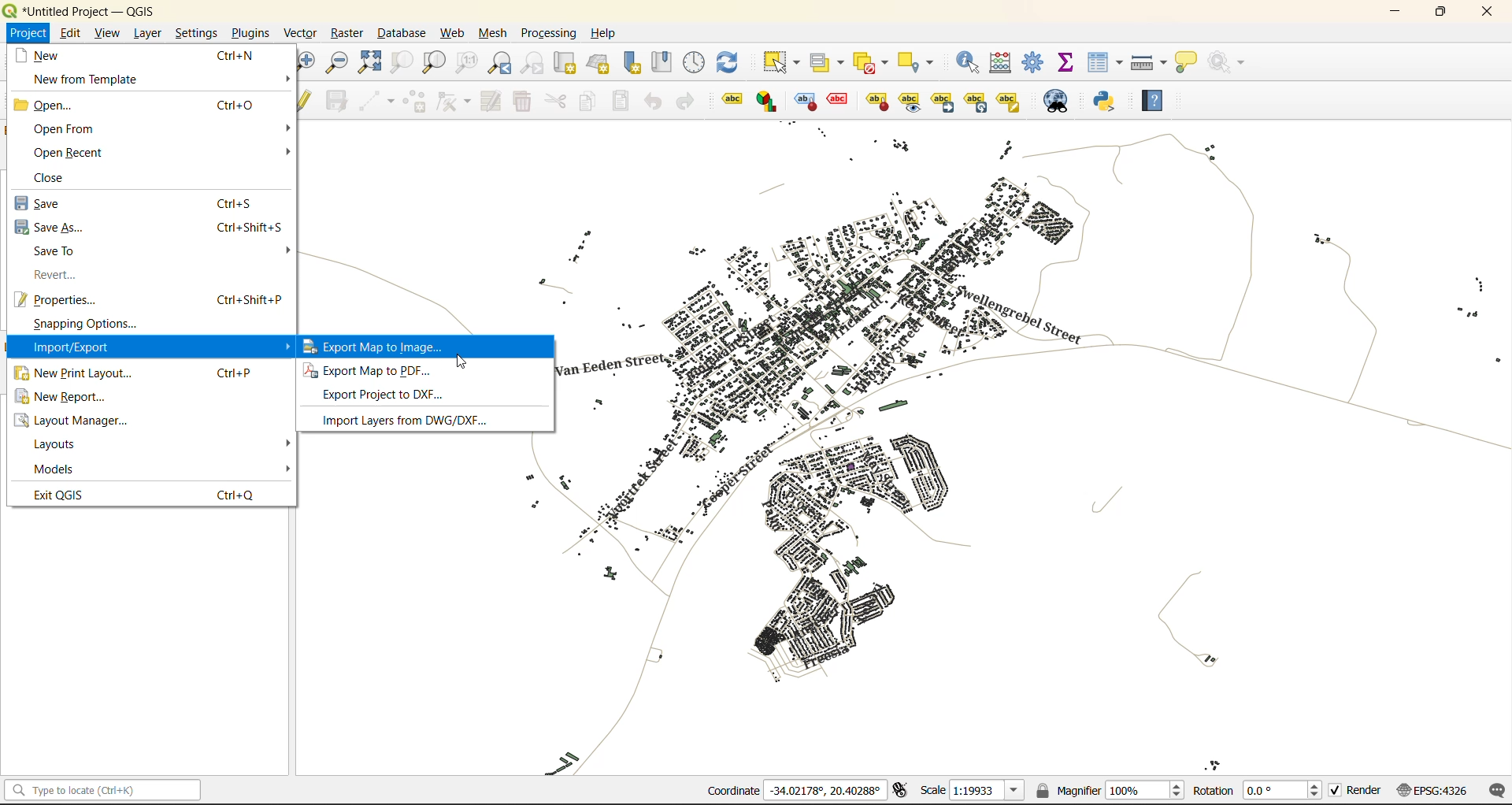 This screenshot has width=1512, height=805. What do you see at coordinates (57, 176) in the screenshot?
I see `close` at bounding box center [57, 176].